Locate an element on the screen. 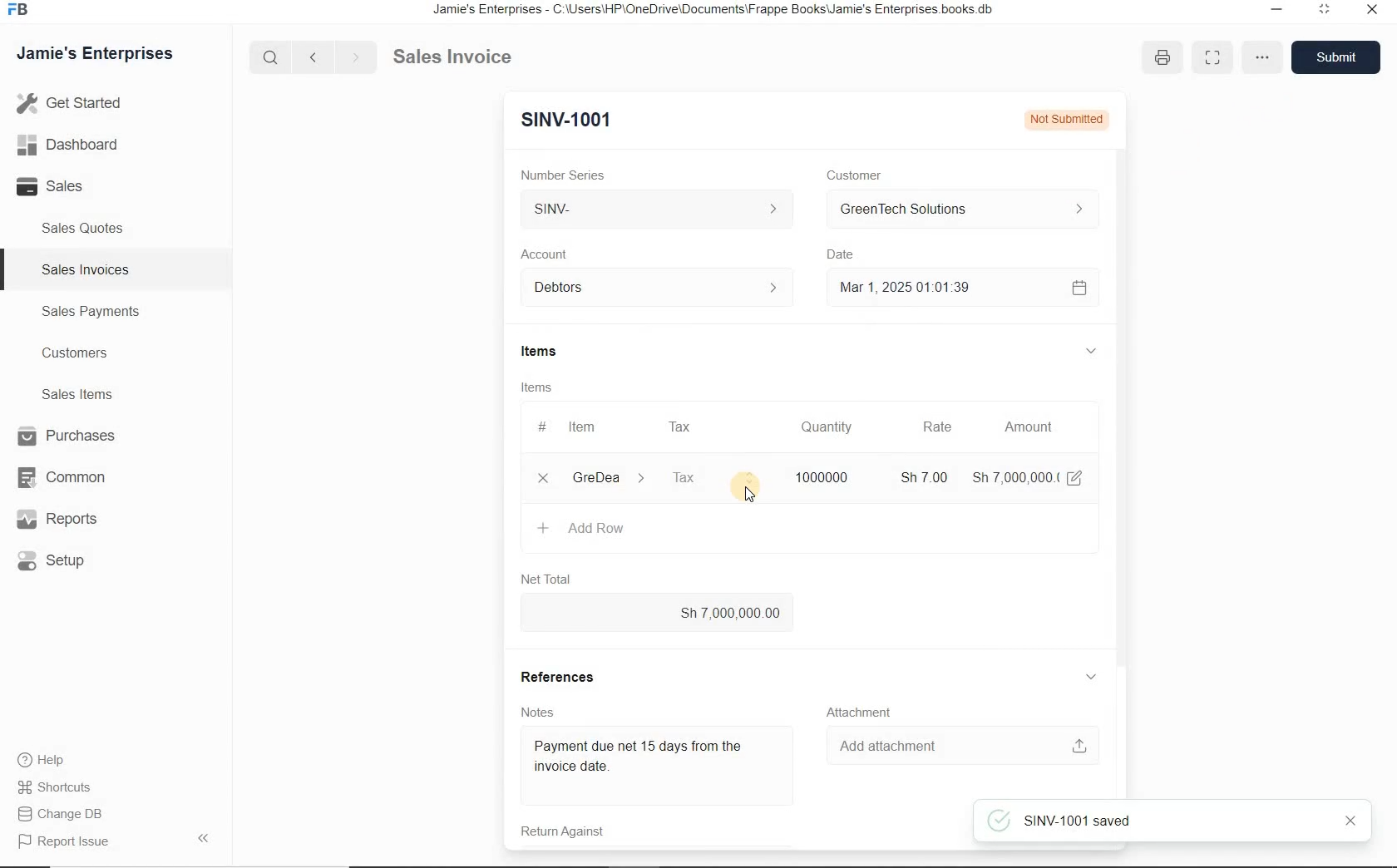 The image size is (1397, 868). Setup is located at coordinates (63, 562).